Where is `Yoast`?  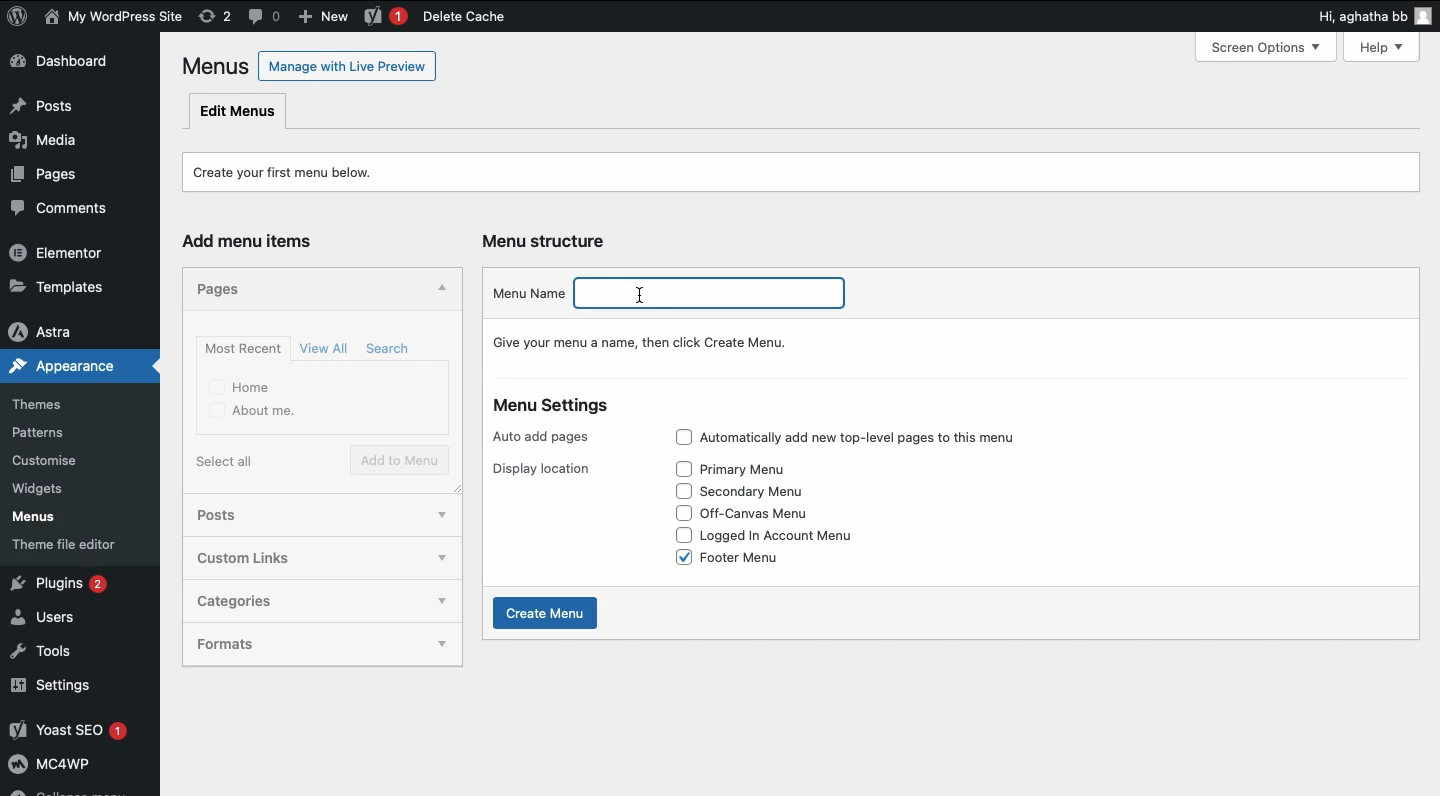
Yoast is located at coordinates (384, 17).